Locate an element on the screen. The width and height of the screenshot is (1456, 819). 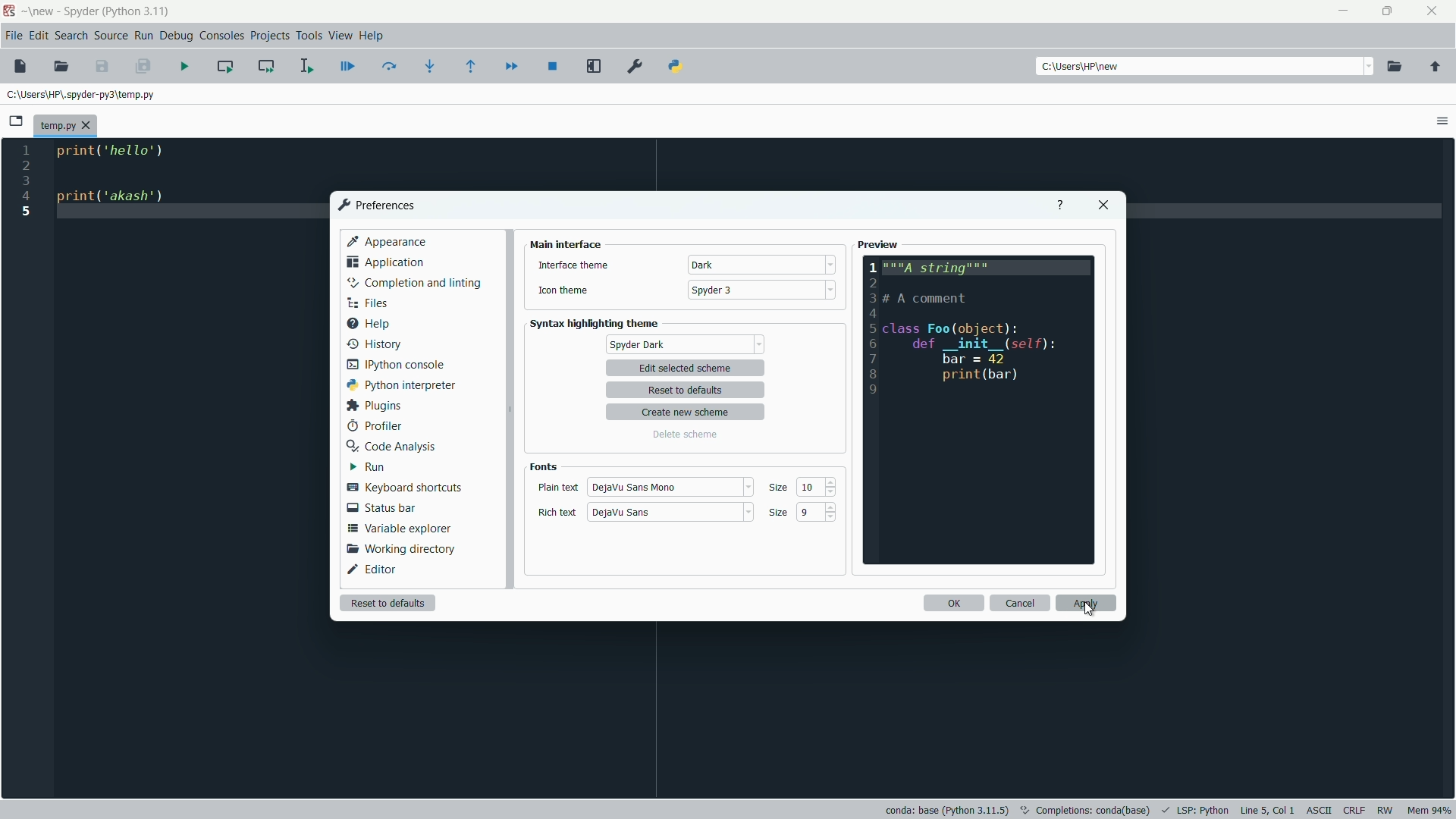
help is located at coordinates (367, 322).